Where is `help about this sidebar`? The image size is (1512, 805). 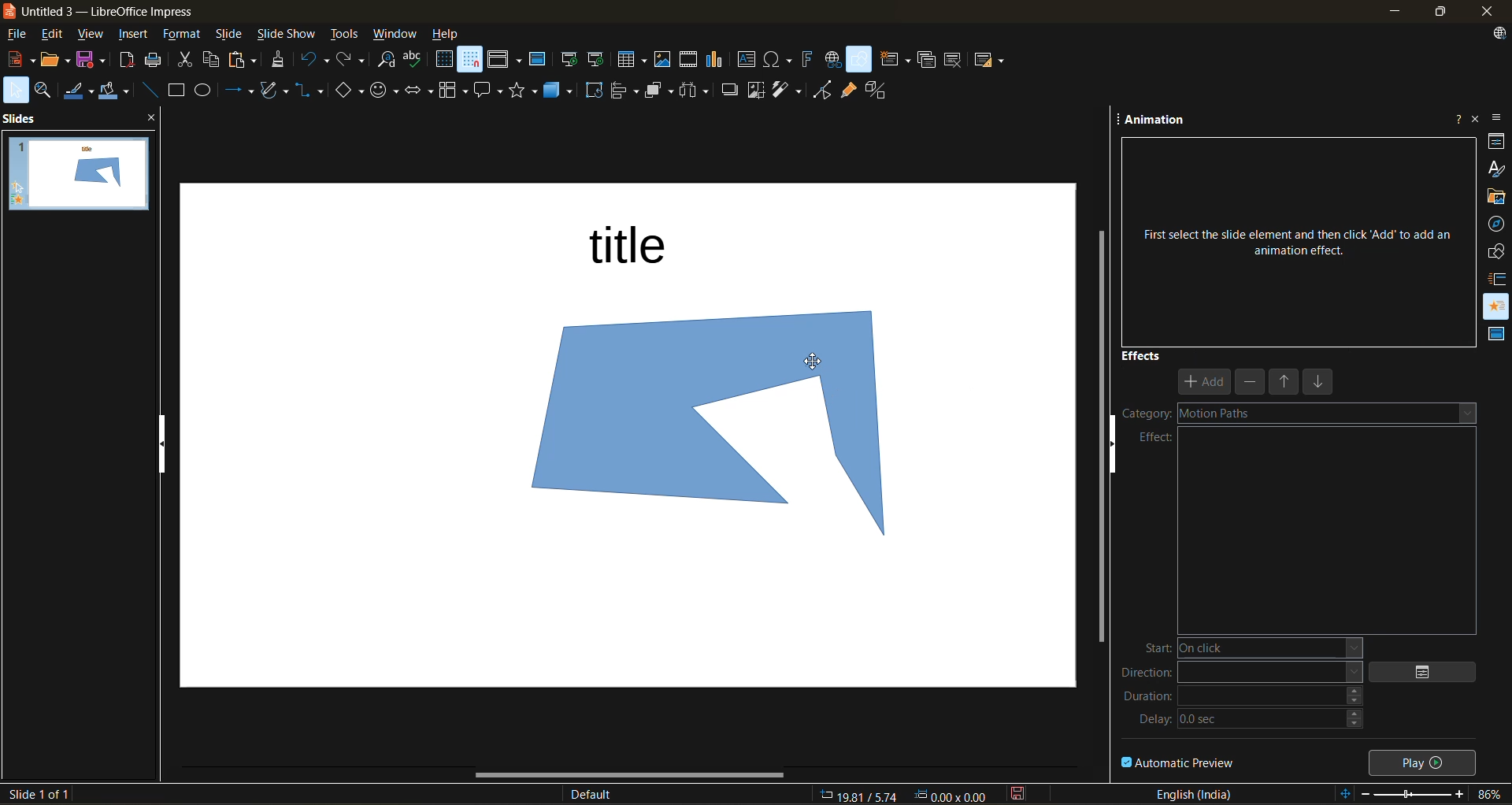
help about this sidebar is located at coordinates (1454, 117).